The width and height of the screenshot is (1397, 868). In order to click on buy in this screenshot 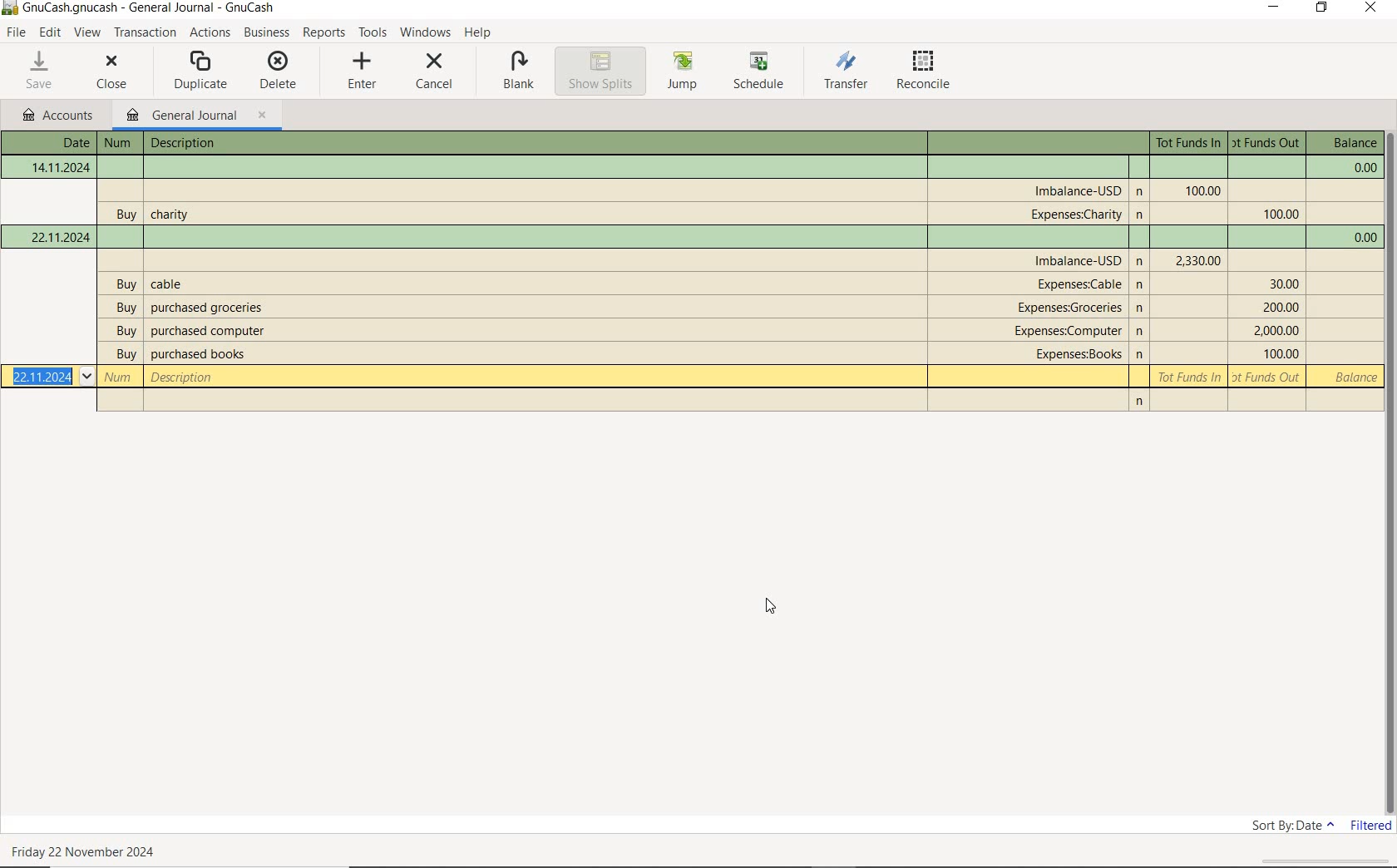, I will do `click(124, 333)`.